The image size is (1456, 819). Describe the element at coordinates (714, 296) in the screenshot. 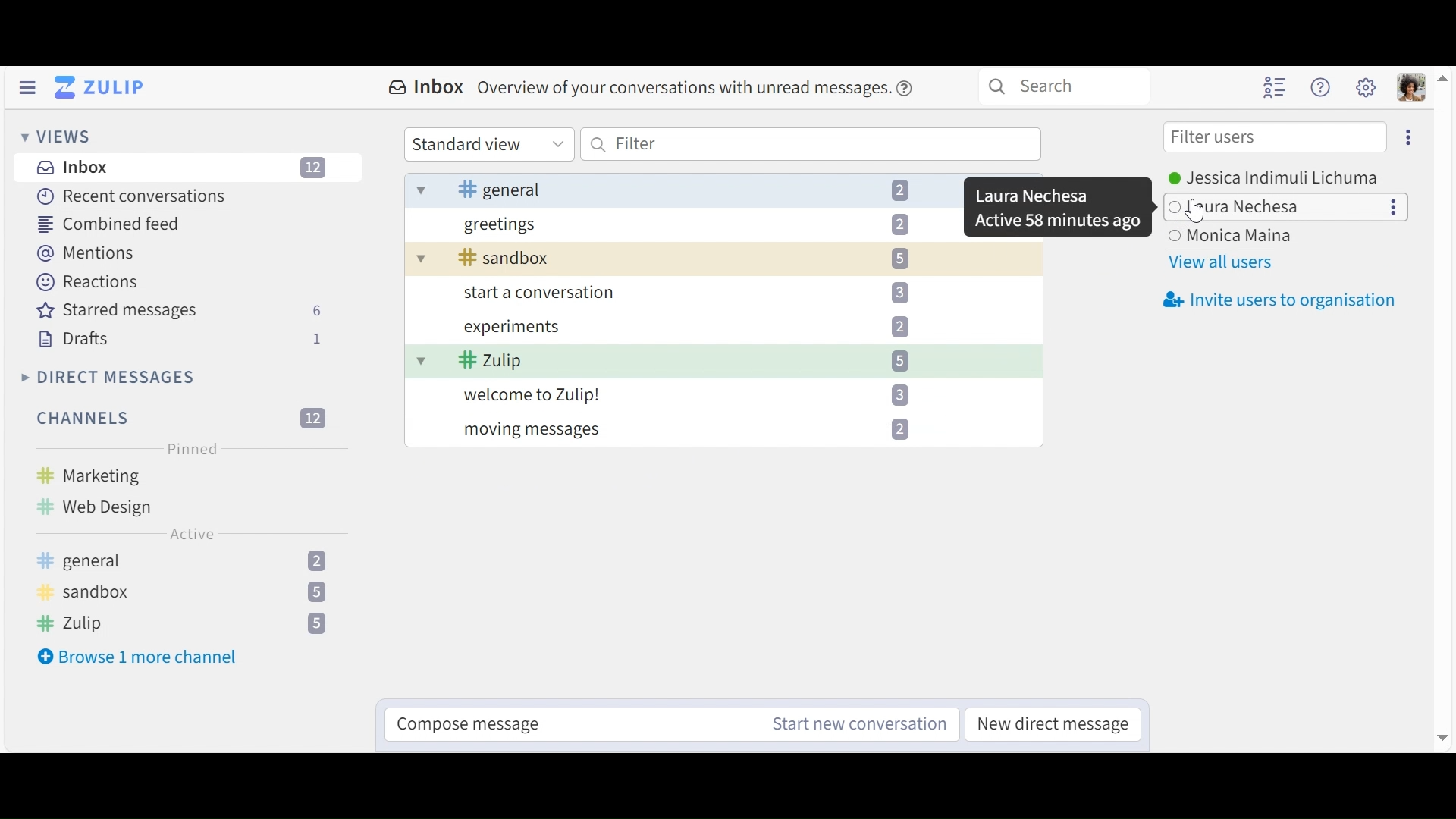

I see `start a conversation` at that location.